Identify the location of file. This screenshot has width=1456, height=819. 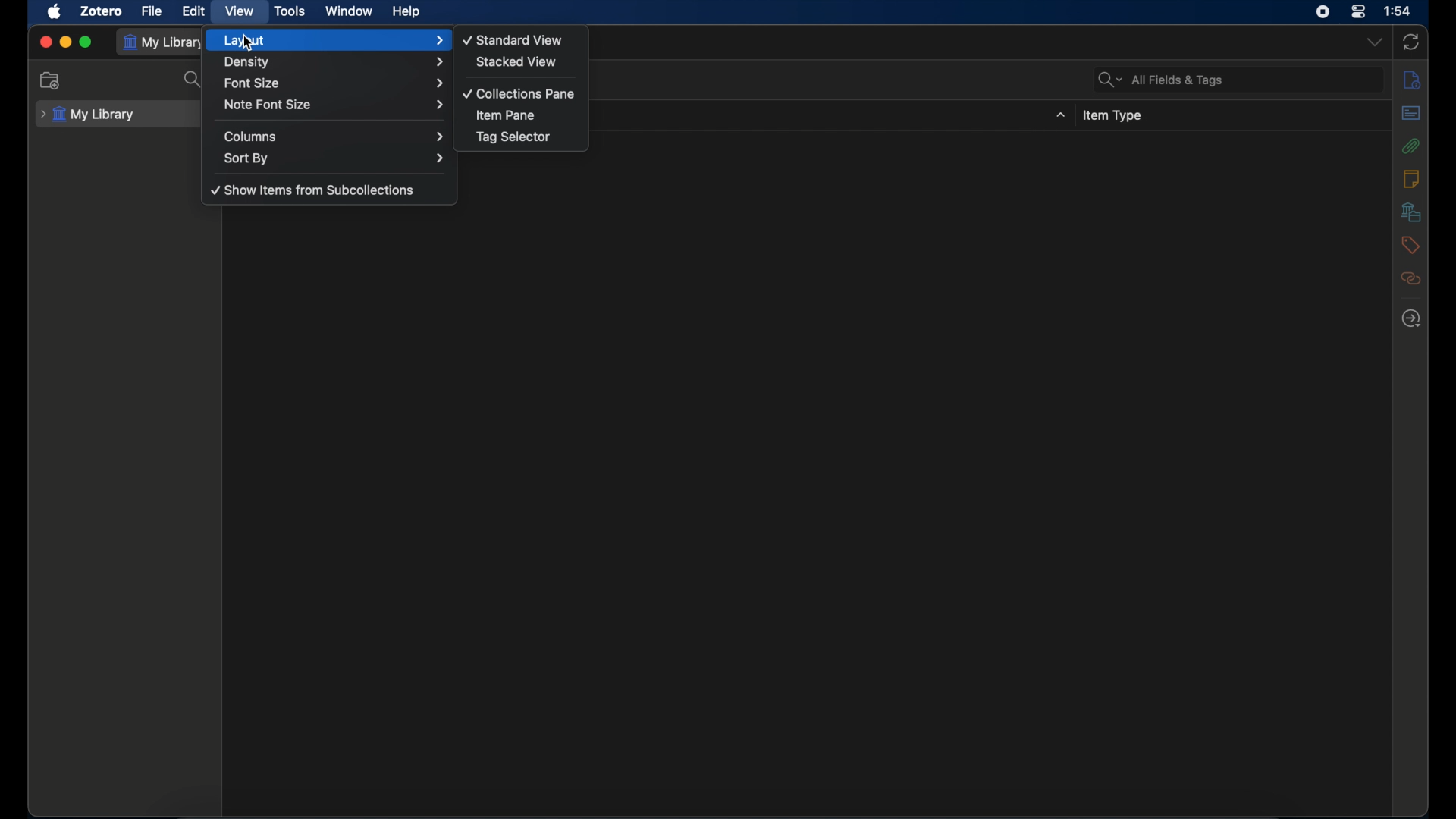
(152, 11).